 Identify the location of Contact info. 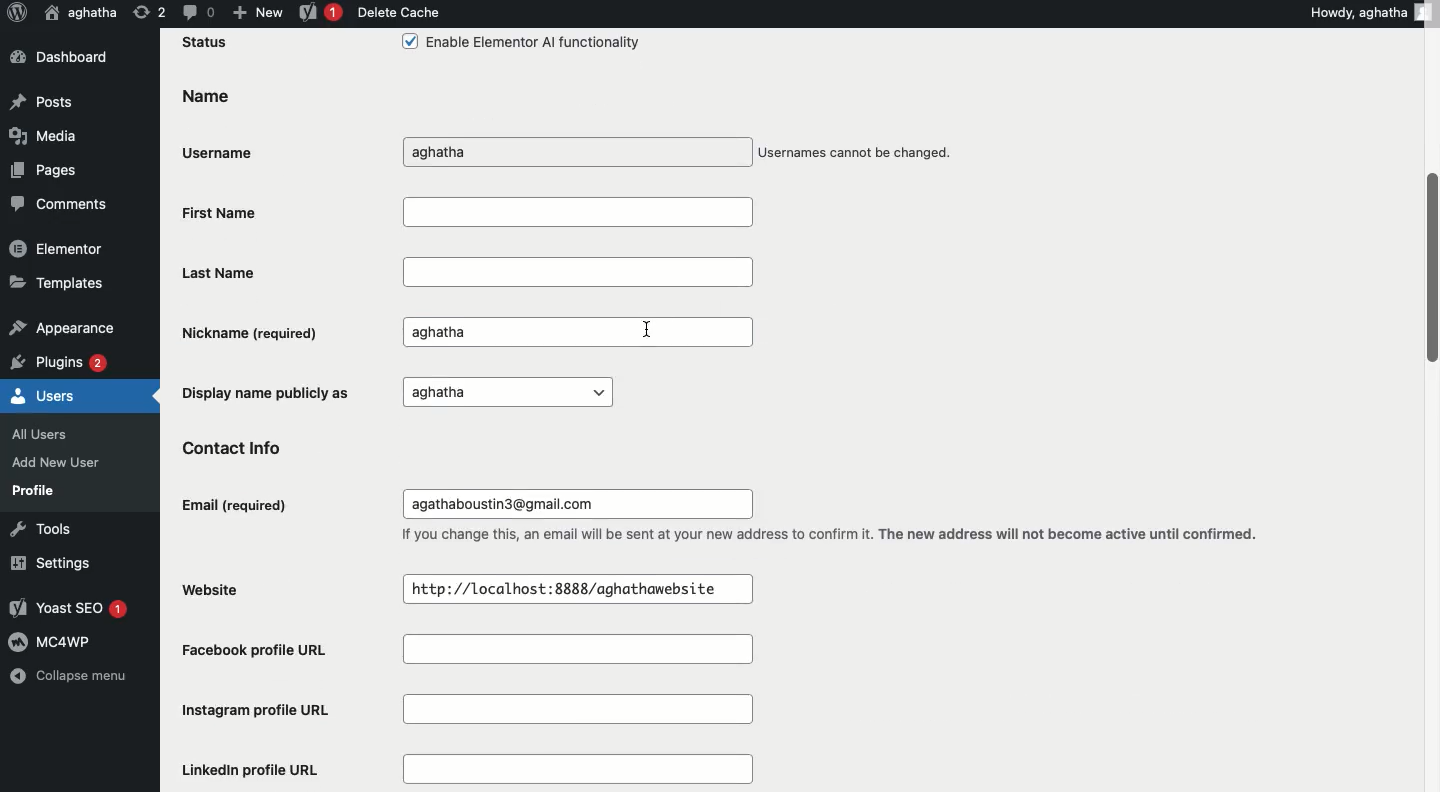
(244, 446).